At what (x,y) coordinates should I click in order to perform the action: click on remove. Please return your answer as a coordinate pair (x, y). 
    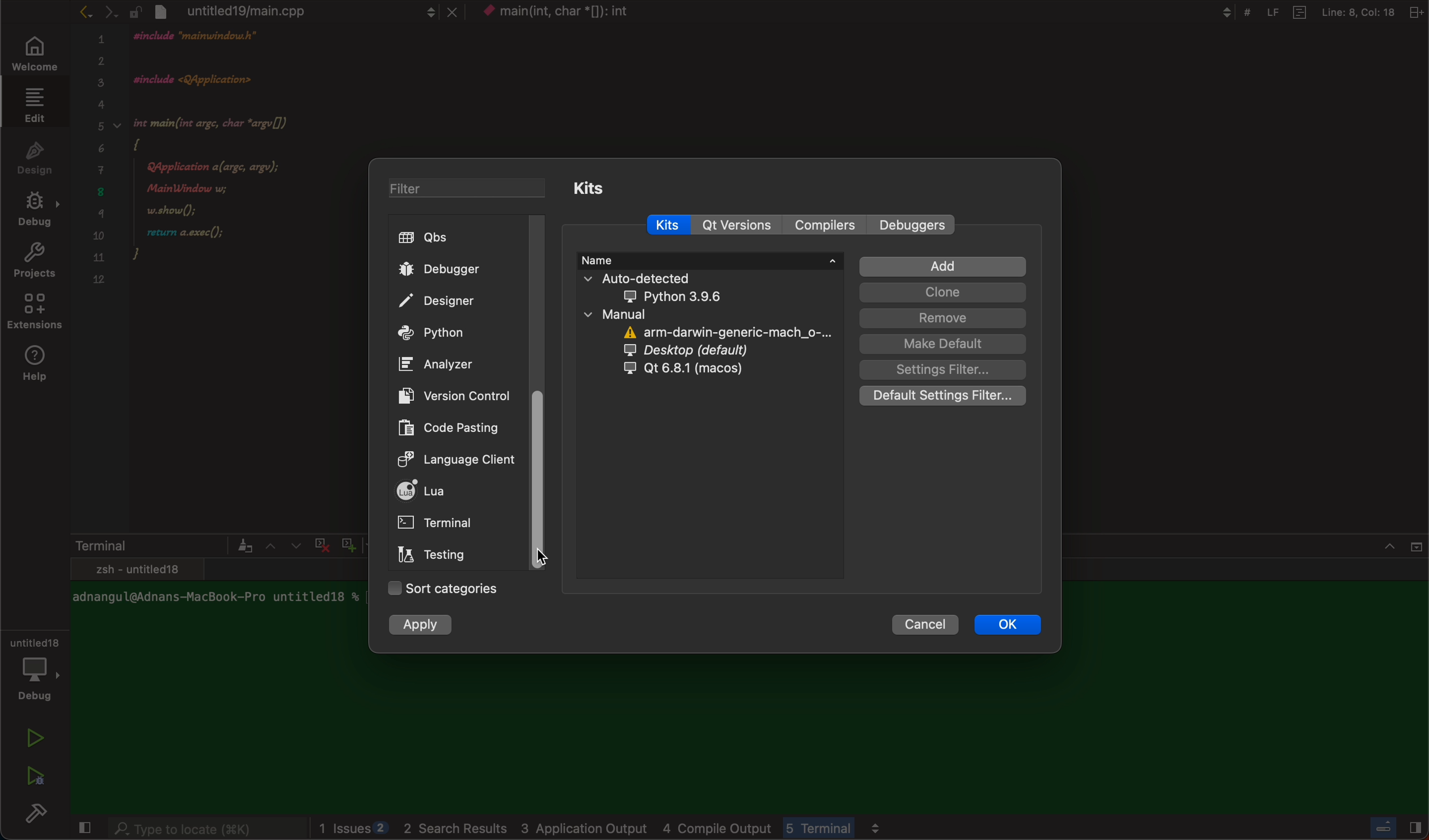
    Looking at the image, I should click on (943, 318).